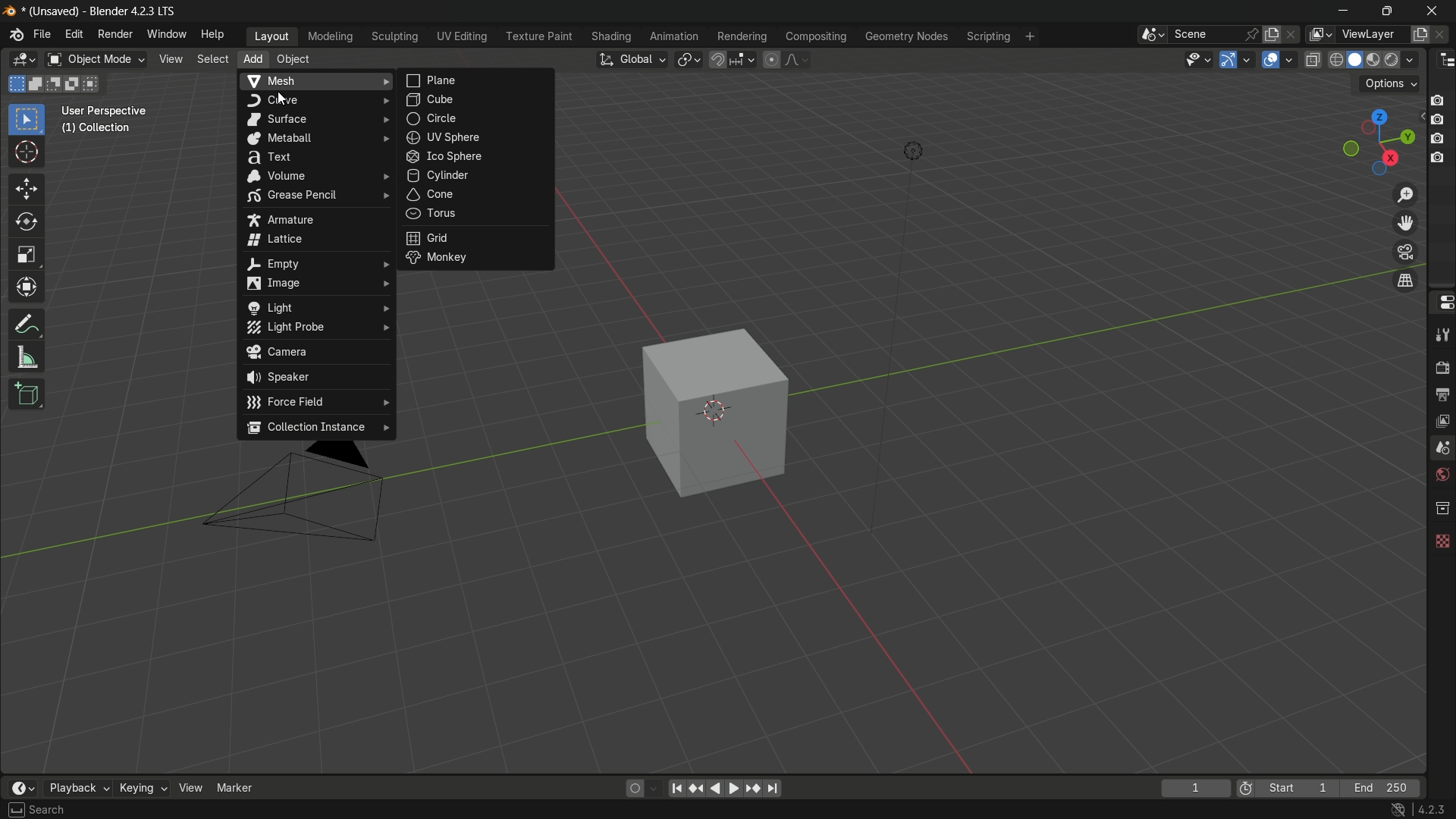 This screenshot has height=819, width=1456. I want to click on marker, so click(236, 787).